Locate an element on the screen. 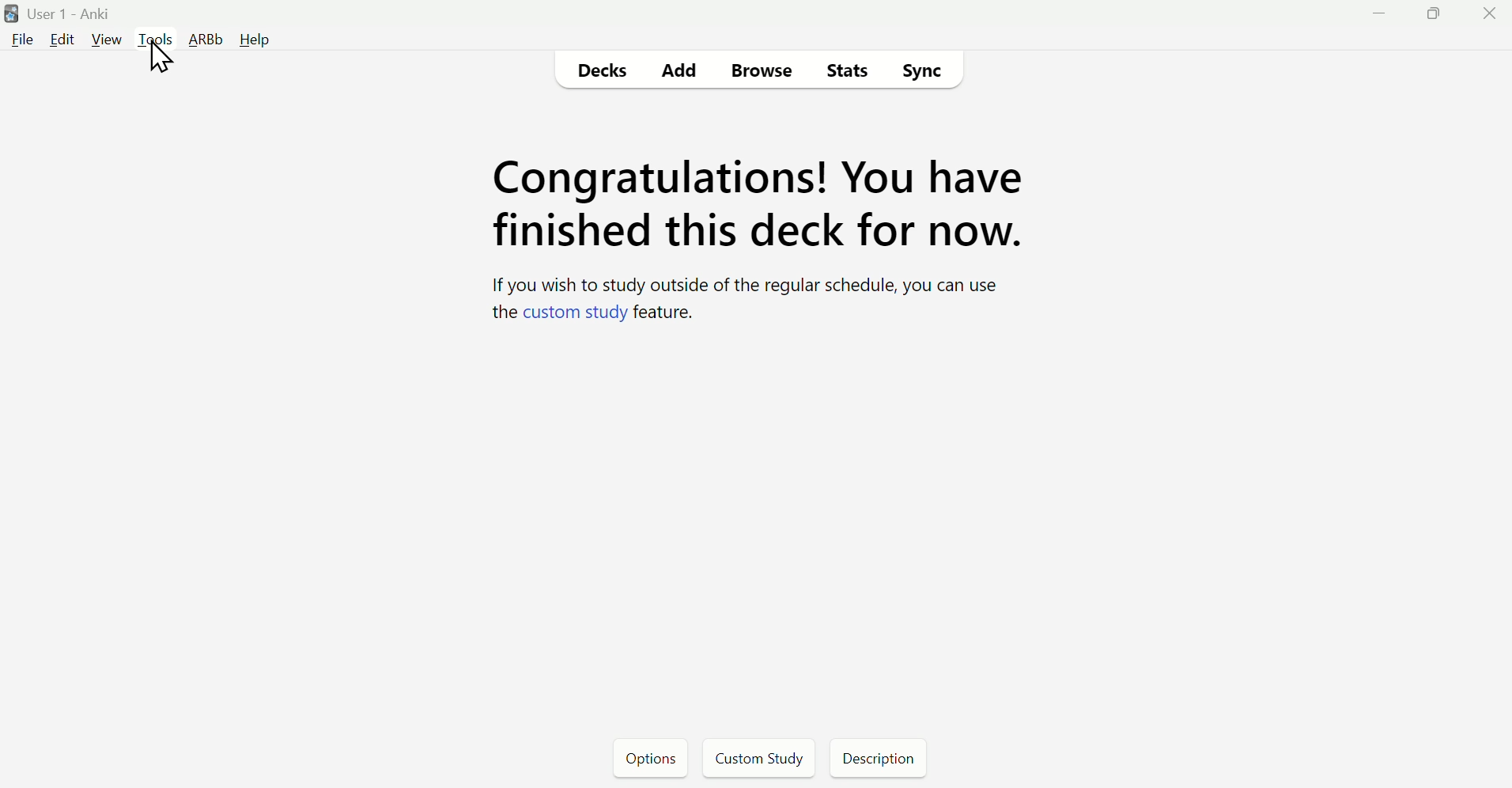  Maximize is located at coordinates (1438, 13).